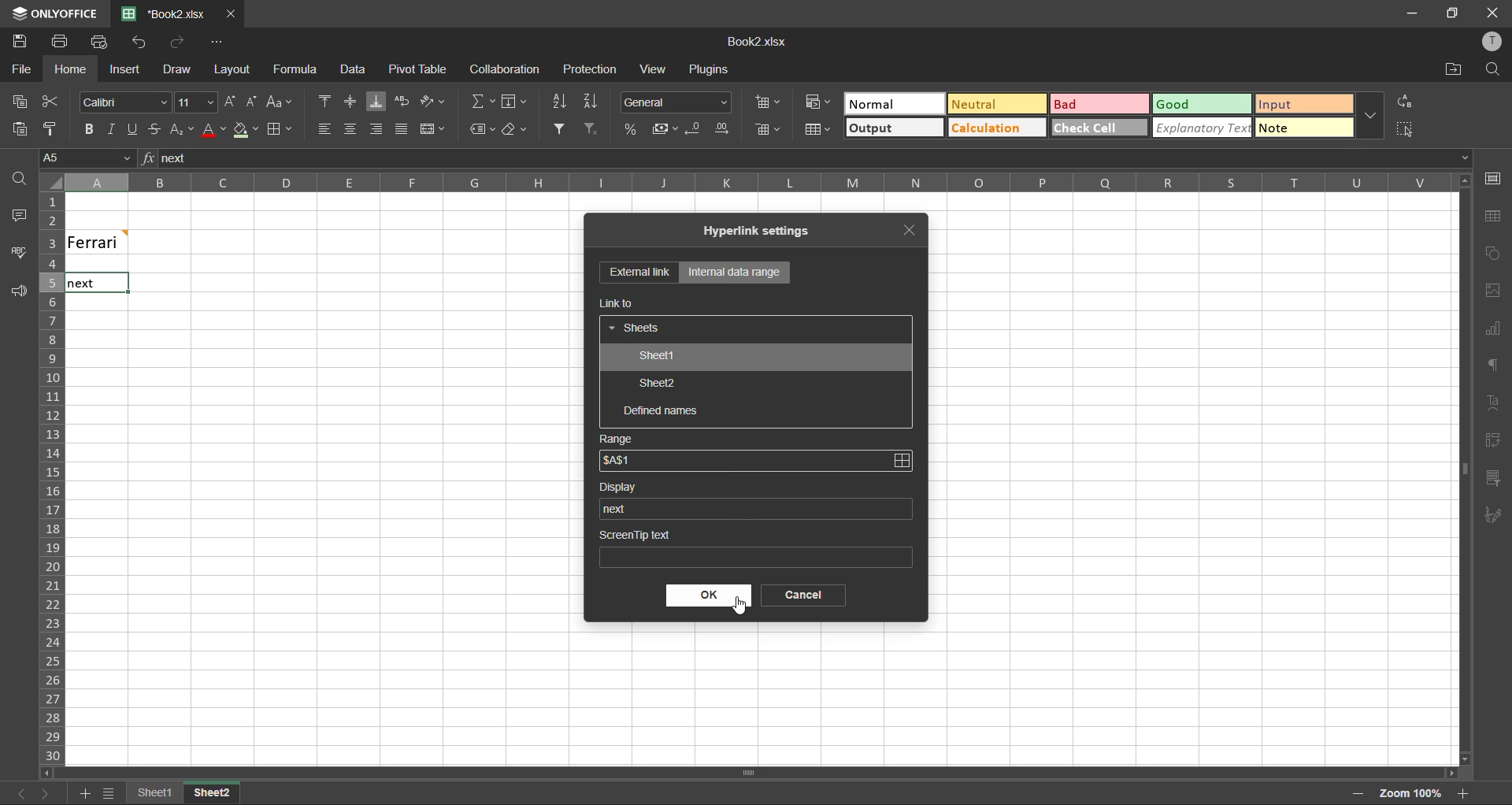 Image resolution: width=1512 pixels, height=805 pixels. Describe the element at coordinates (86, 158) in the screenshot. I see `cell address` at that location.